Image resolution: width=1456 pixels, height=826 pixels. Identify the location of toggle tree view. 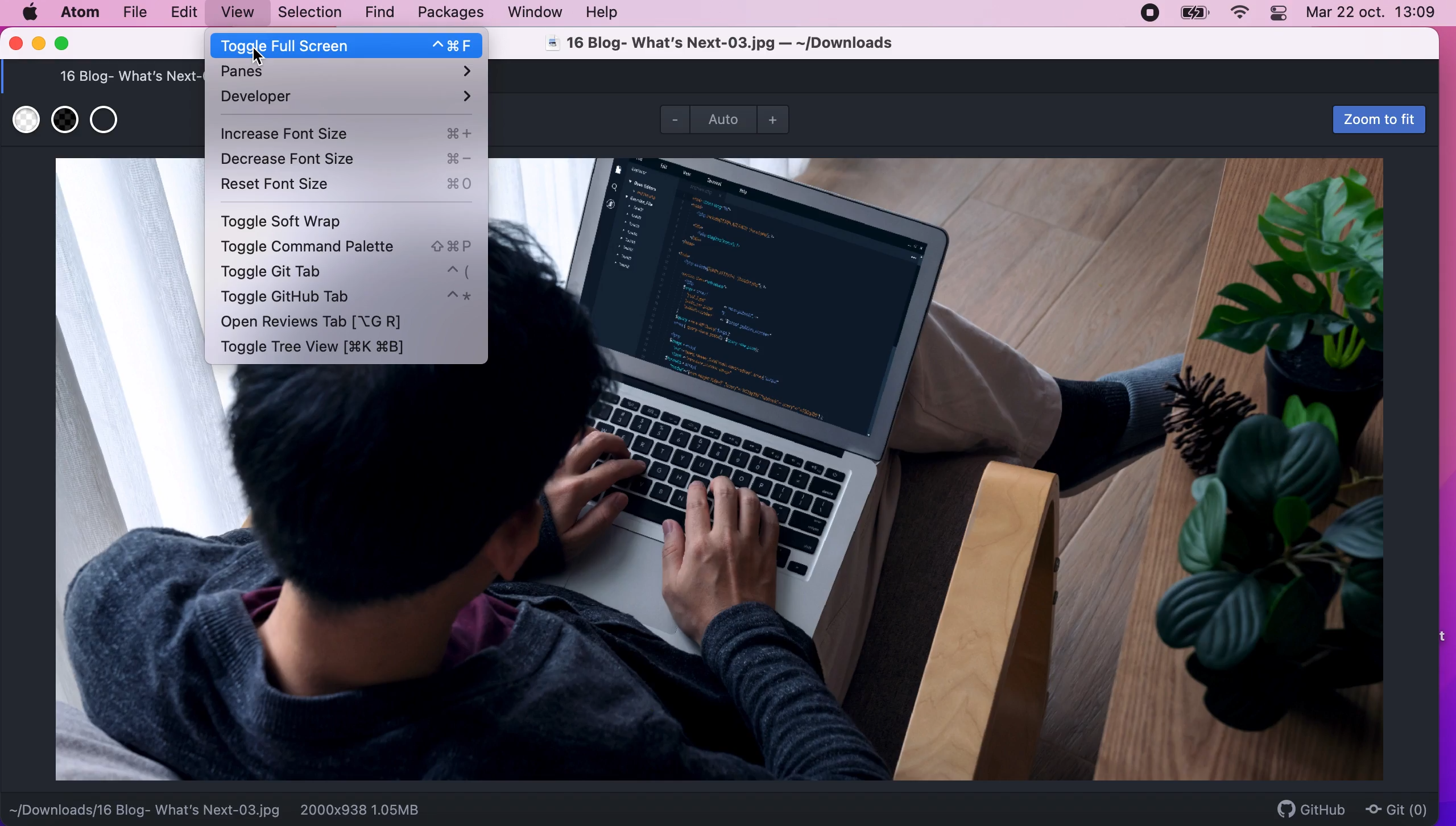
(329, 346).